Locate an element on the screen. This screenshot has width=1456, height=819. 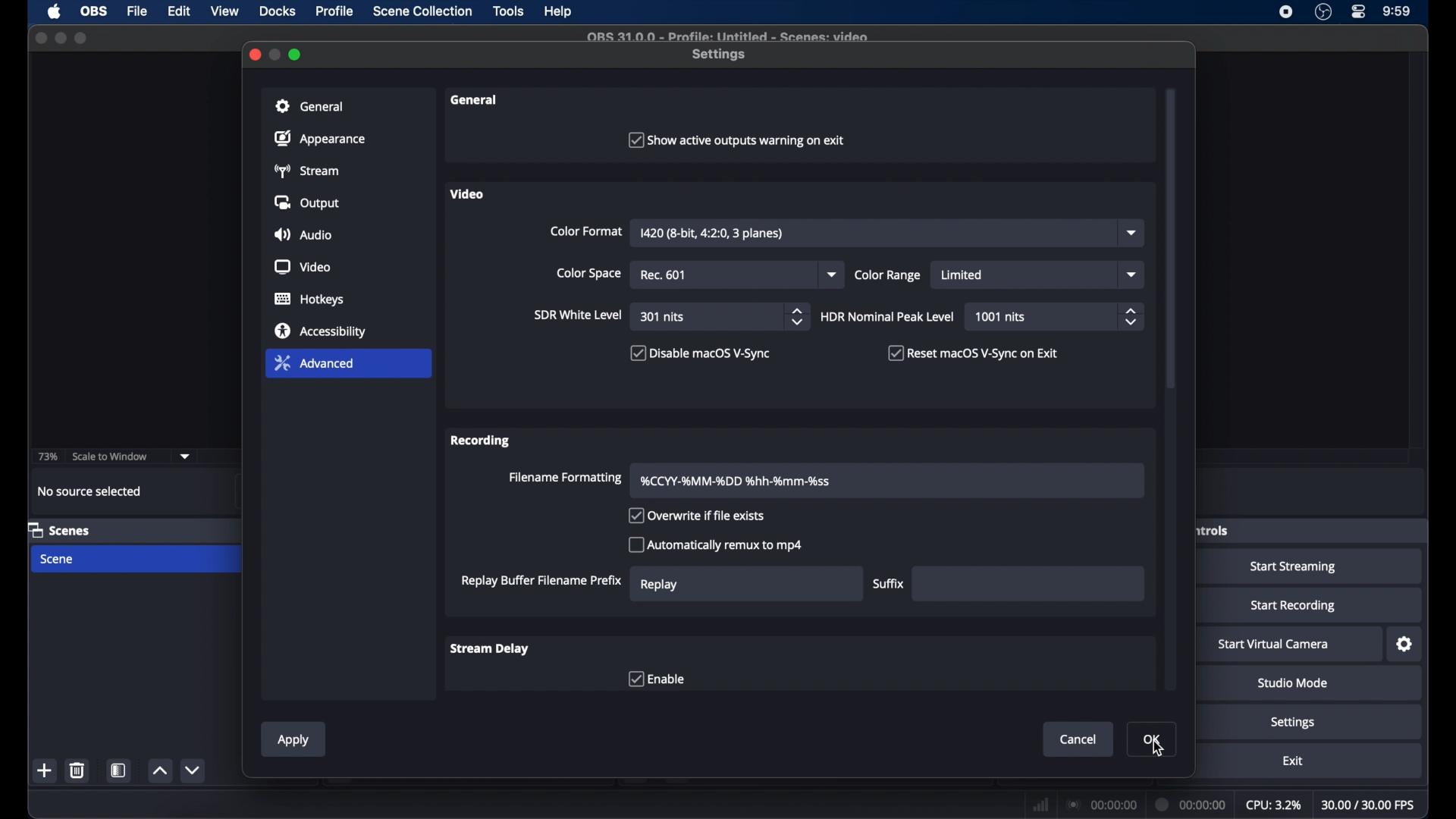
duration is located at coordinates (1191, 805).